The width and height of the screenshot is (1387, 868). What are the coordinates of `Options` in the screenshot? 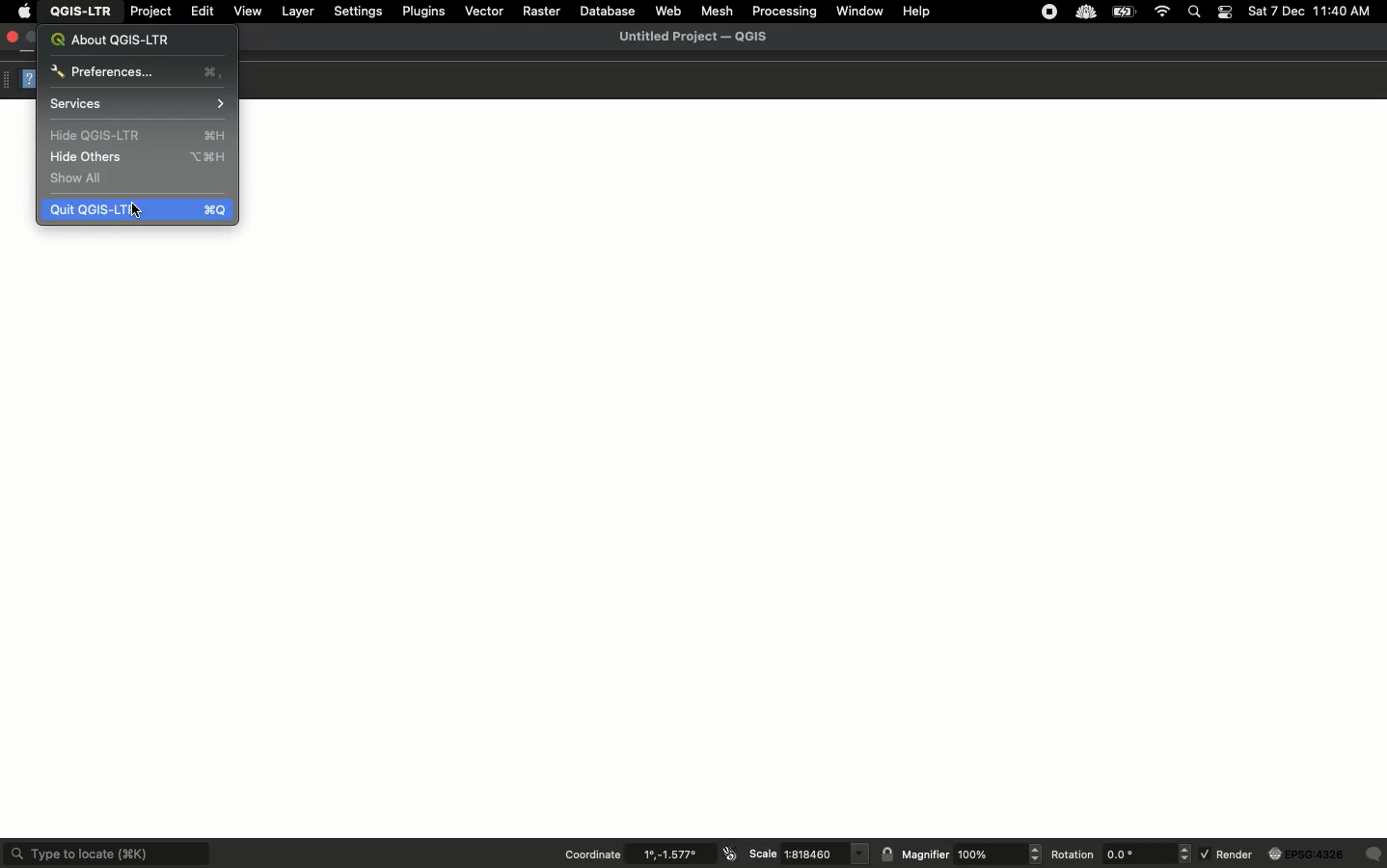 It's located at (10, 77).